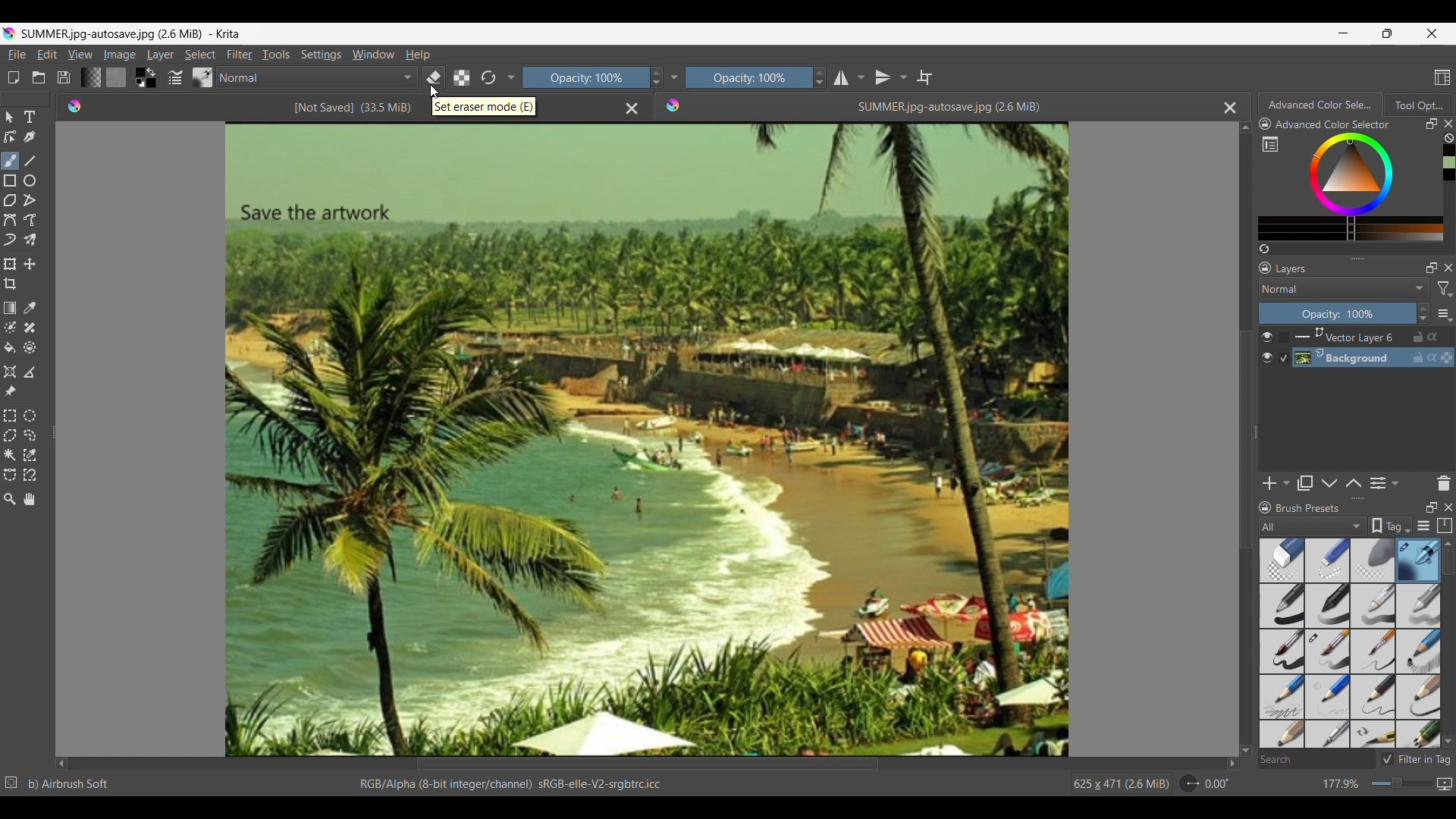 This screenshot has height=819, width=1456. Describe the element at coordinates (91, 77) in the screenshot. I see `Fill gradients` at that location.